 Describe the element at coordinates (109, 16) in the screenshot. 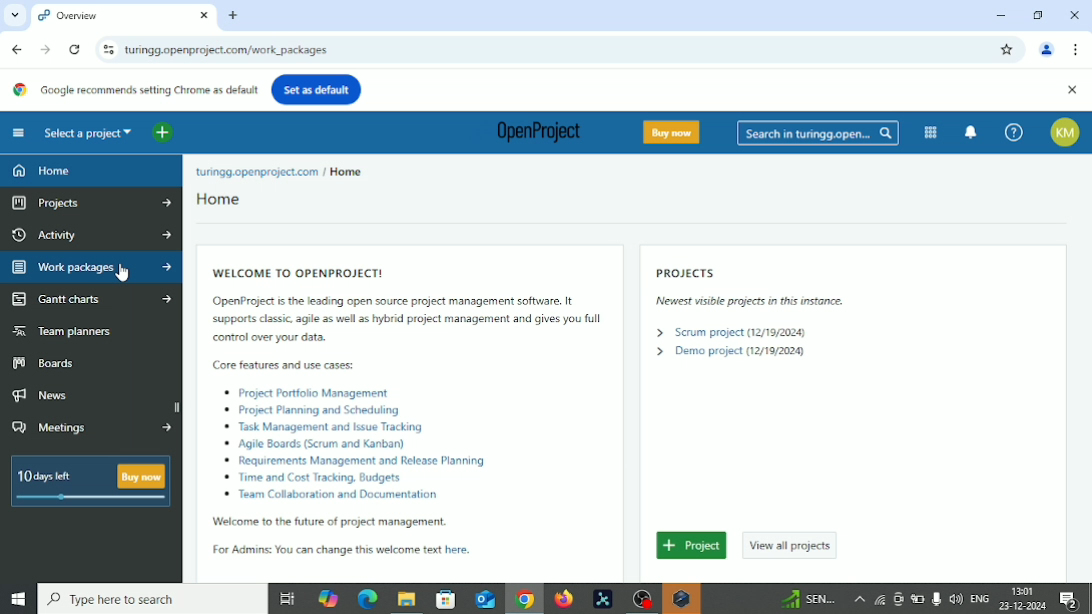

I see `Current tab` at that location.